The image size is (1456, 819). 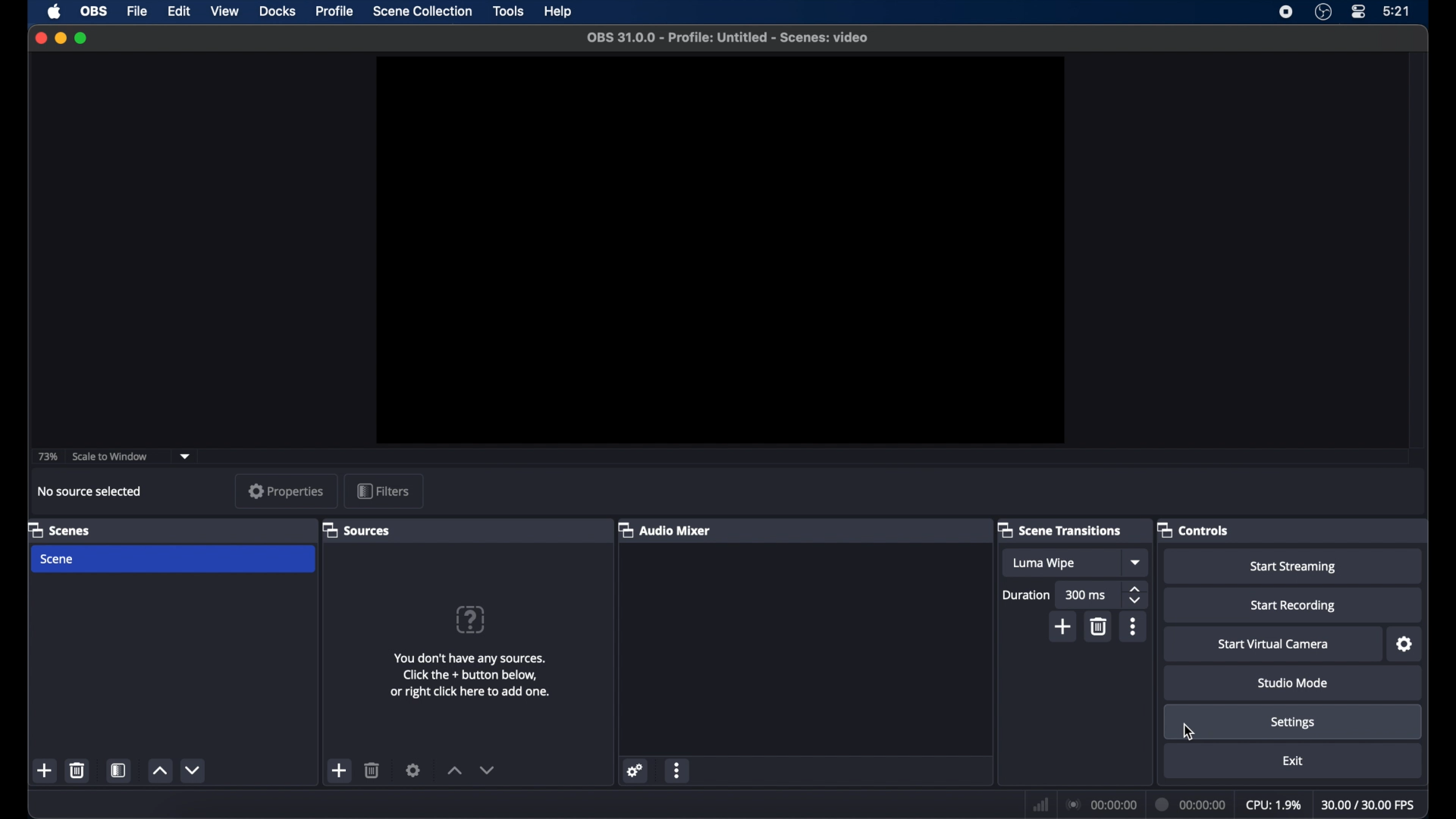 I want to click on profile, so click(x=335, y=11).